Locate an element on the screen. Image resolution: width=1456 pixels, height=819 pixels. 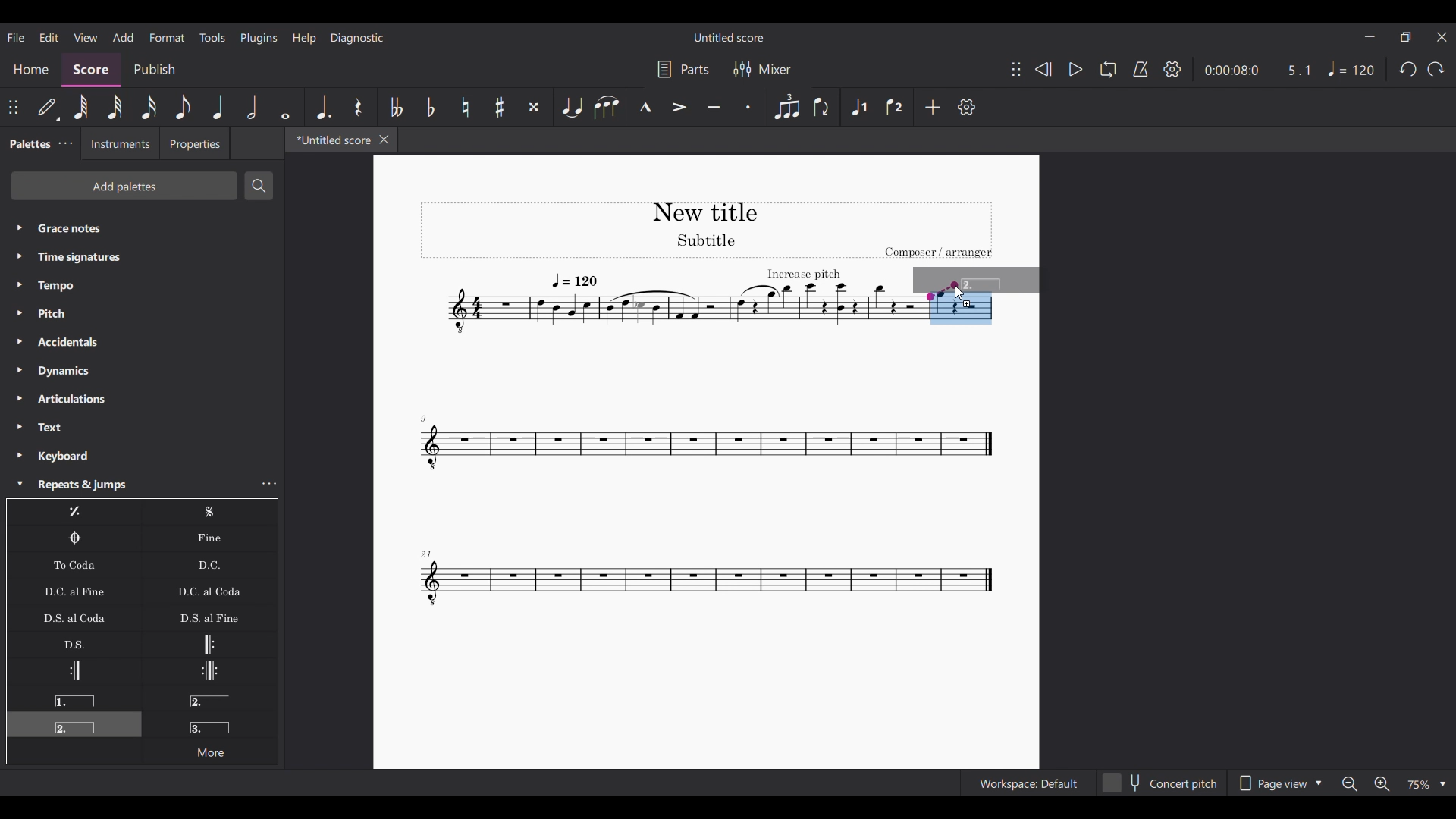
Articulations is located at coordinates (143, 399).